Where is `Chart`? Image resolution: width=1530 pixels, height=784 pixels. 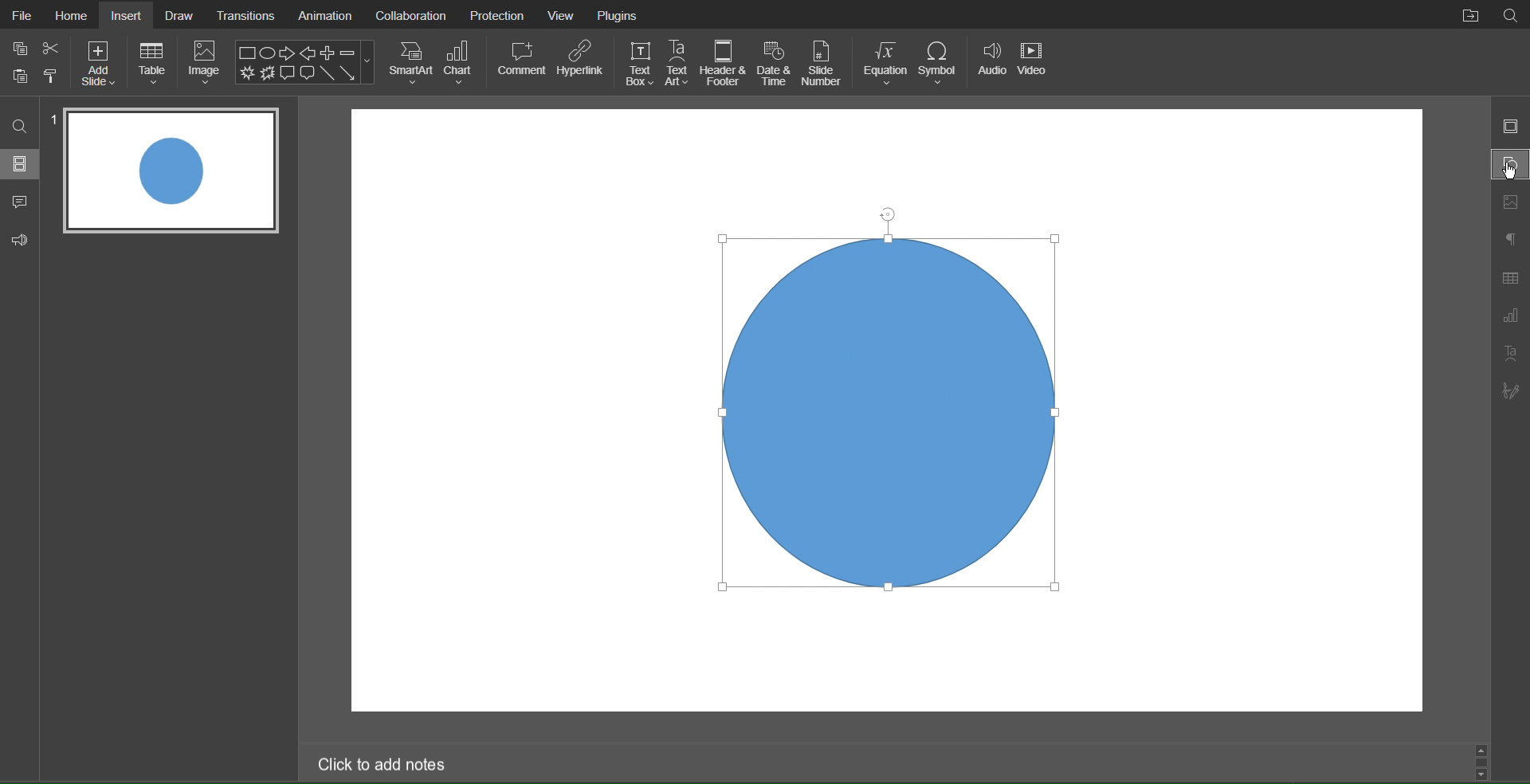
Chart is located at coordinates (462, 64).